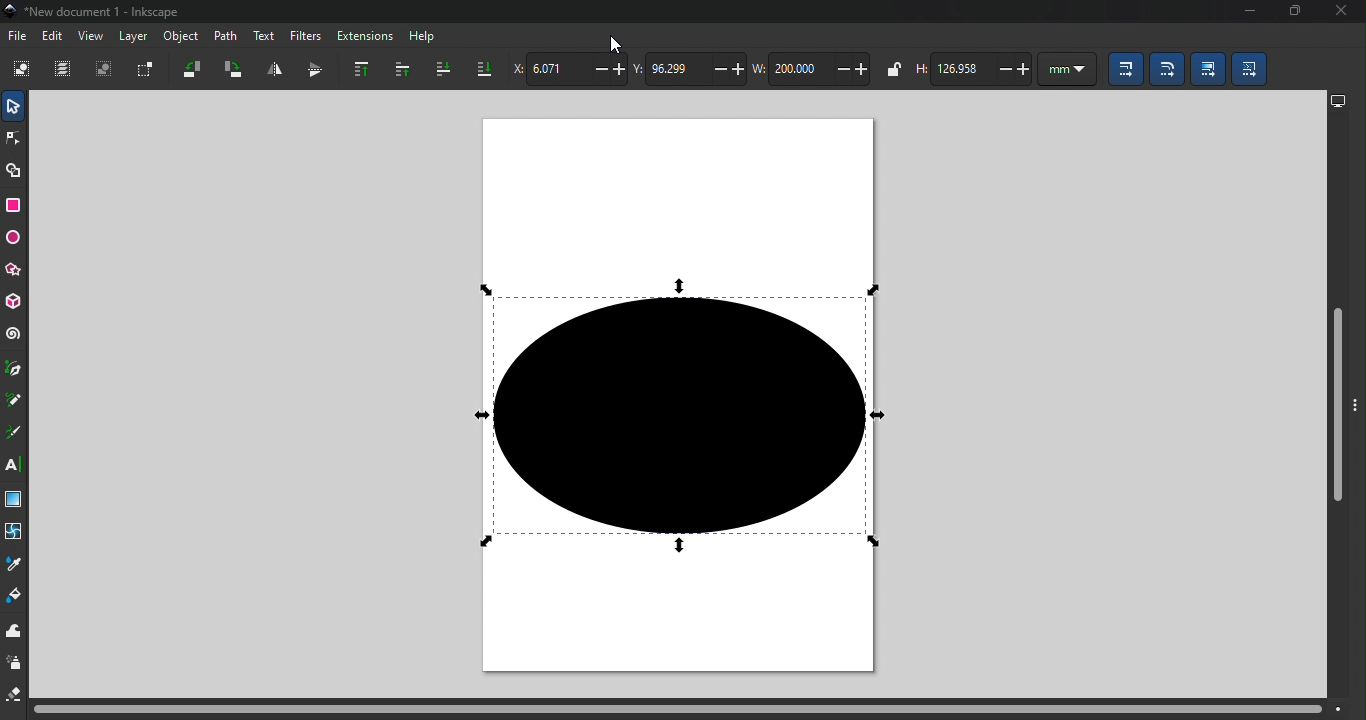 The height and width of the screenshot is (720, 1366). What do you see at coordinates (15, 567) in the screenshot?
I see `dropper tool` at bounding box center [15, 567].